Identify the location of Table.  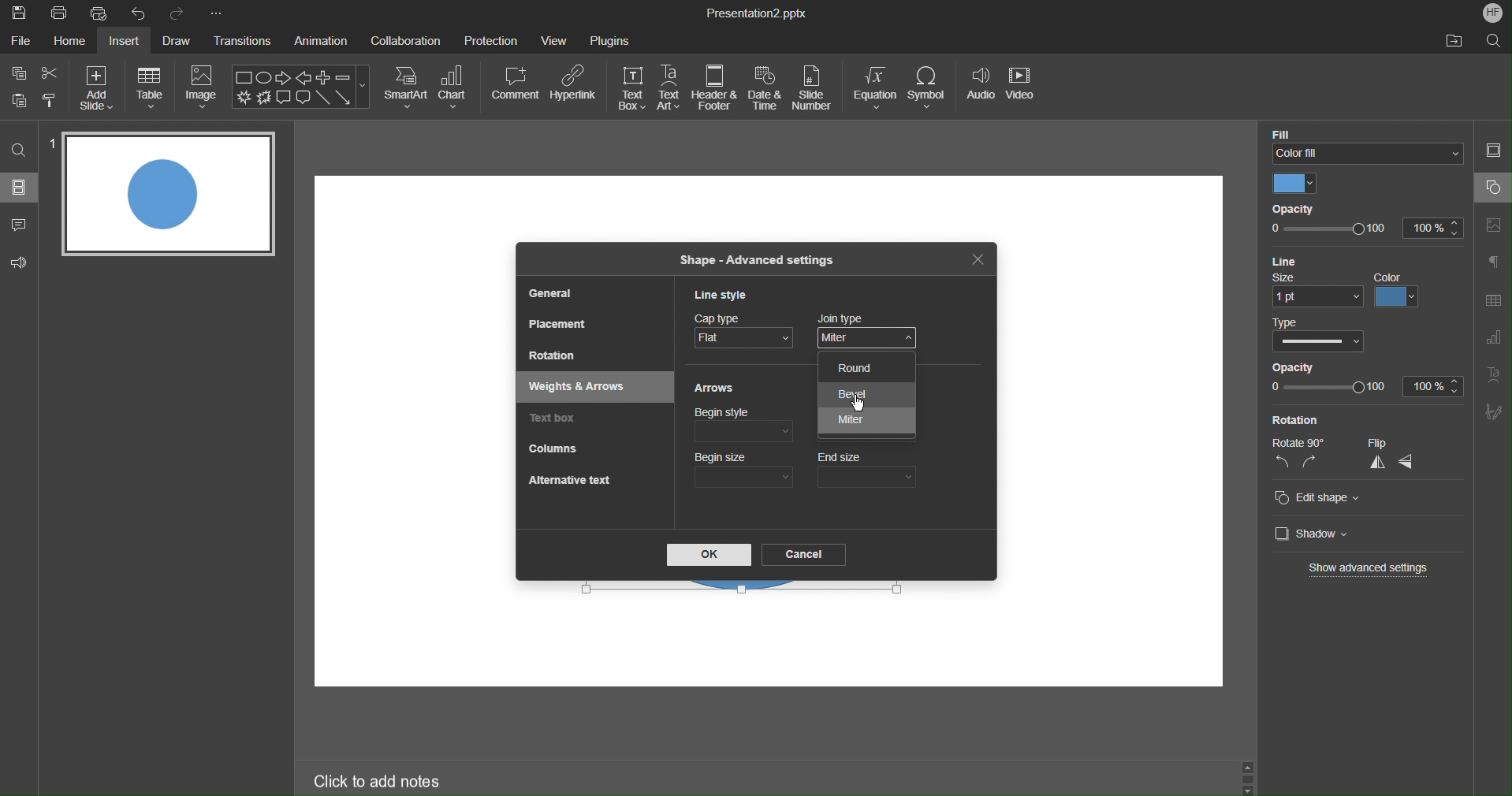
(150, 87).